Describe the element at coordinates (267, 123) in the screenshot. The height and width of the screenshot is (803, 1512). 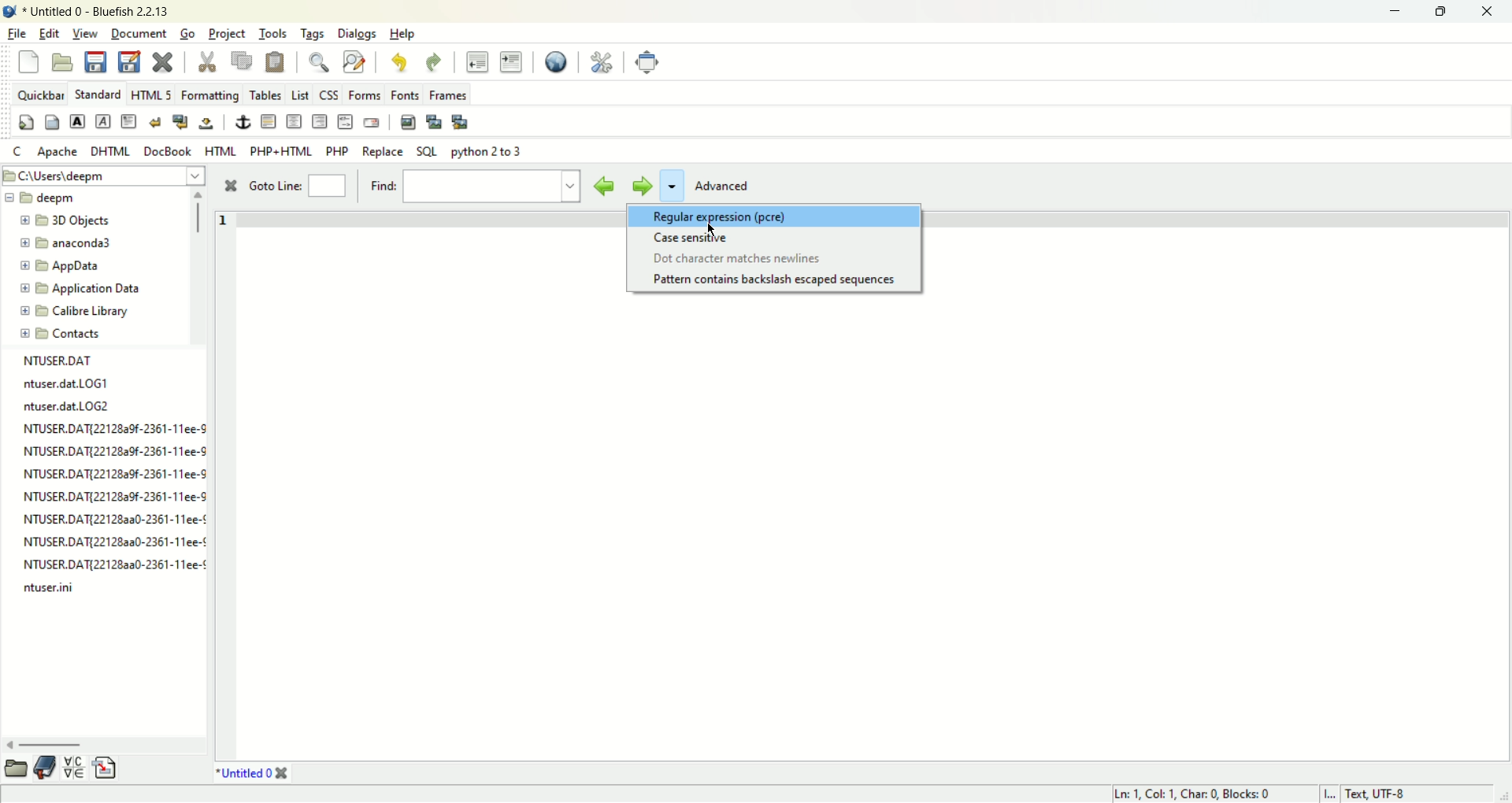
I see `horizontal rule` at that location.